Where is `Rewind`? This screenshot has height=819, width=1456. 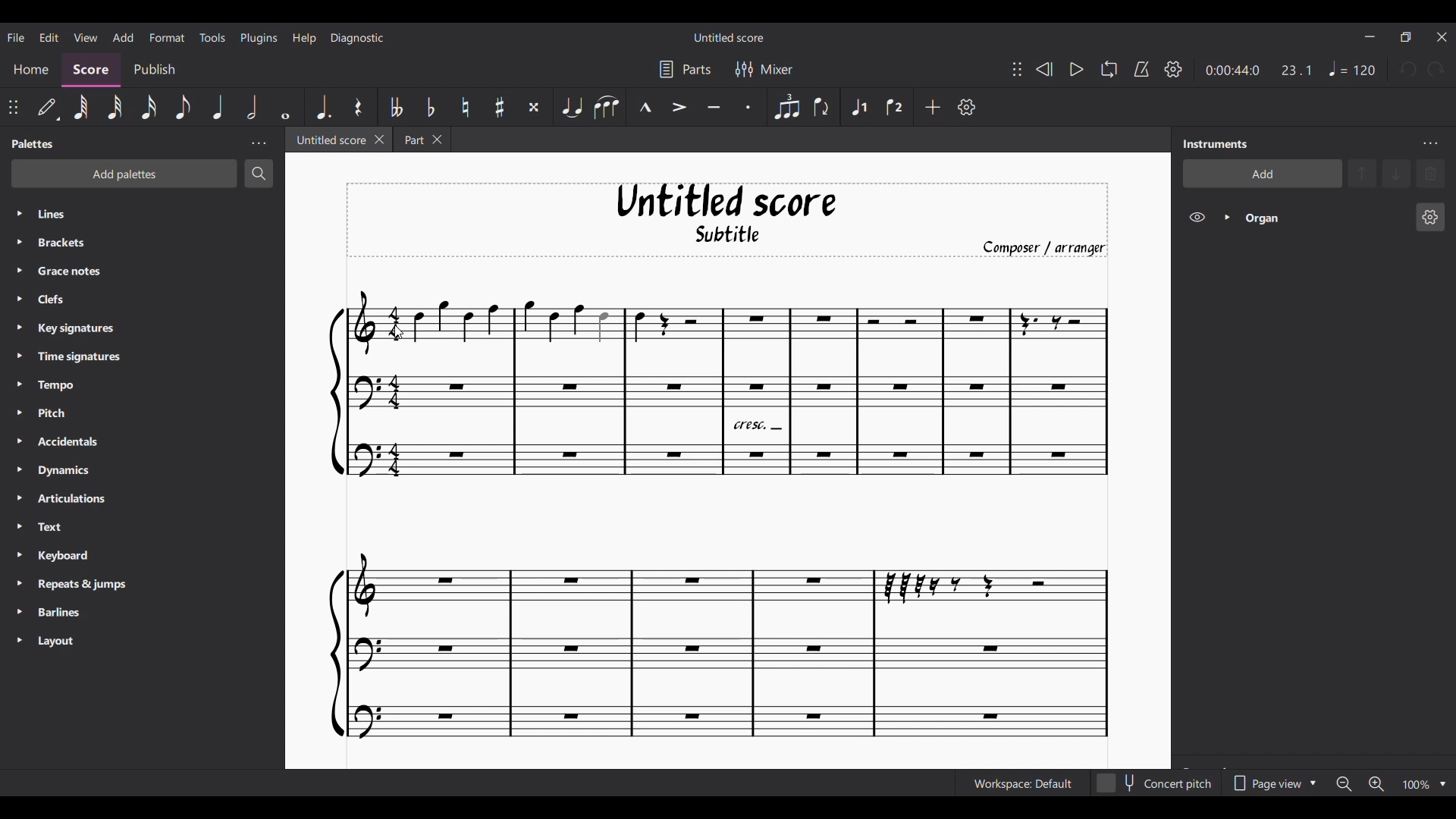 Rewind is located at coordinates (1044, 69).